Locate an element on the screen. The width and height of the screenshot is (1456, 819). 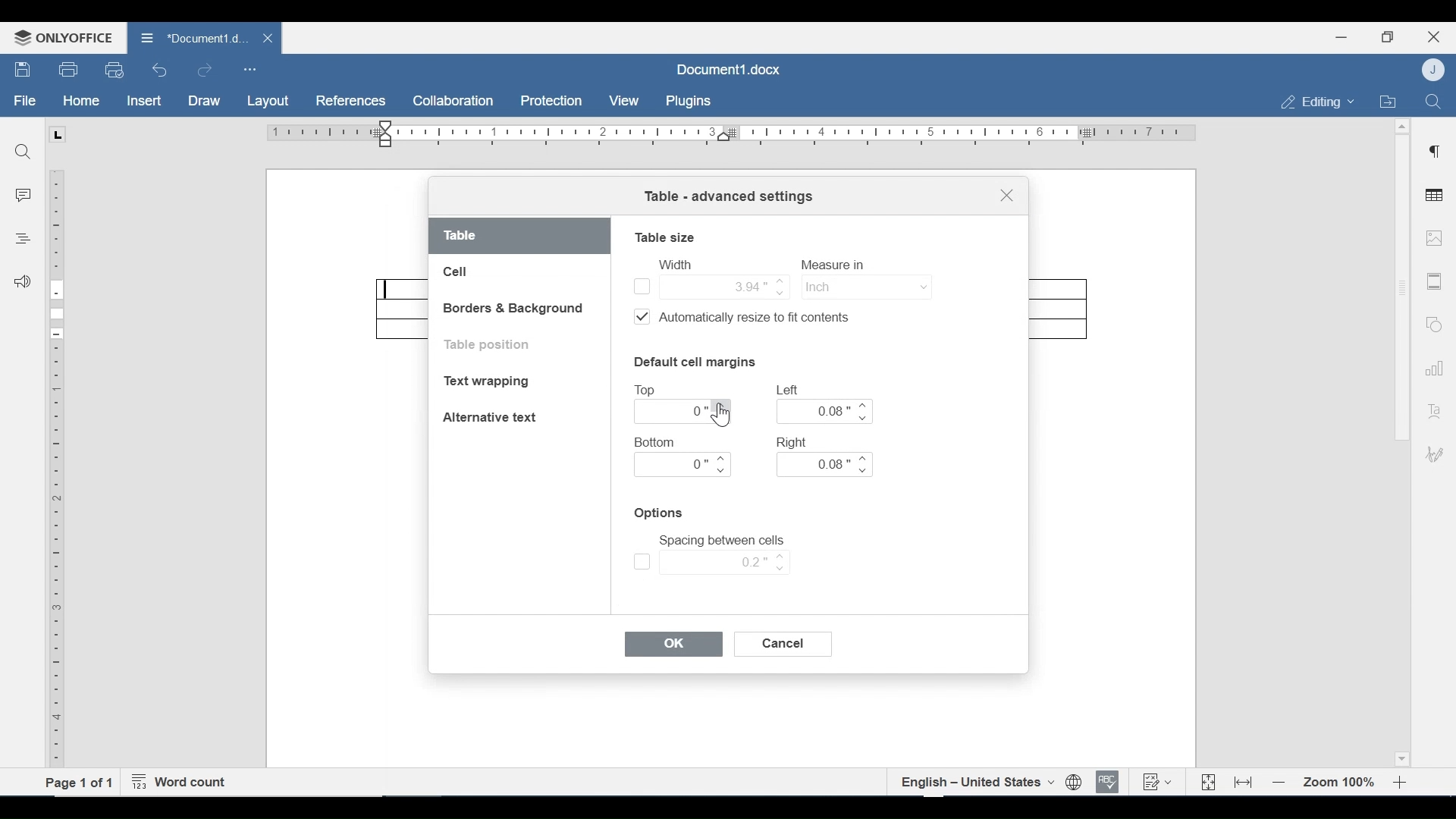
Width is located at coordinates (674, 264).